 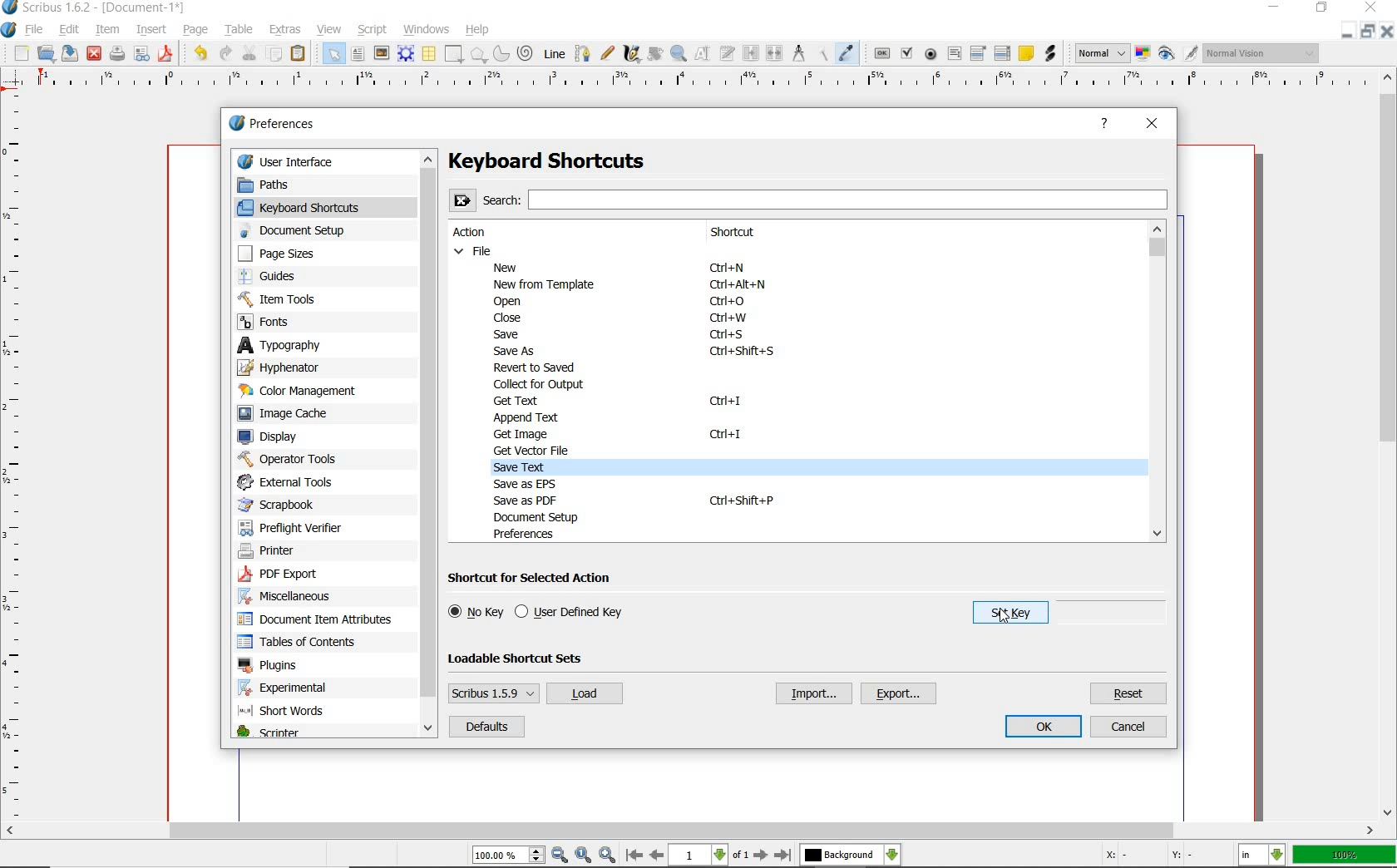 What do you see at coordinates (1156, 858) in the screenshot?
I see `coordinates` at bounding box center [1156, 858].